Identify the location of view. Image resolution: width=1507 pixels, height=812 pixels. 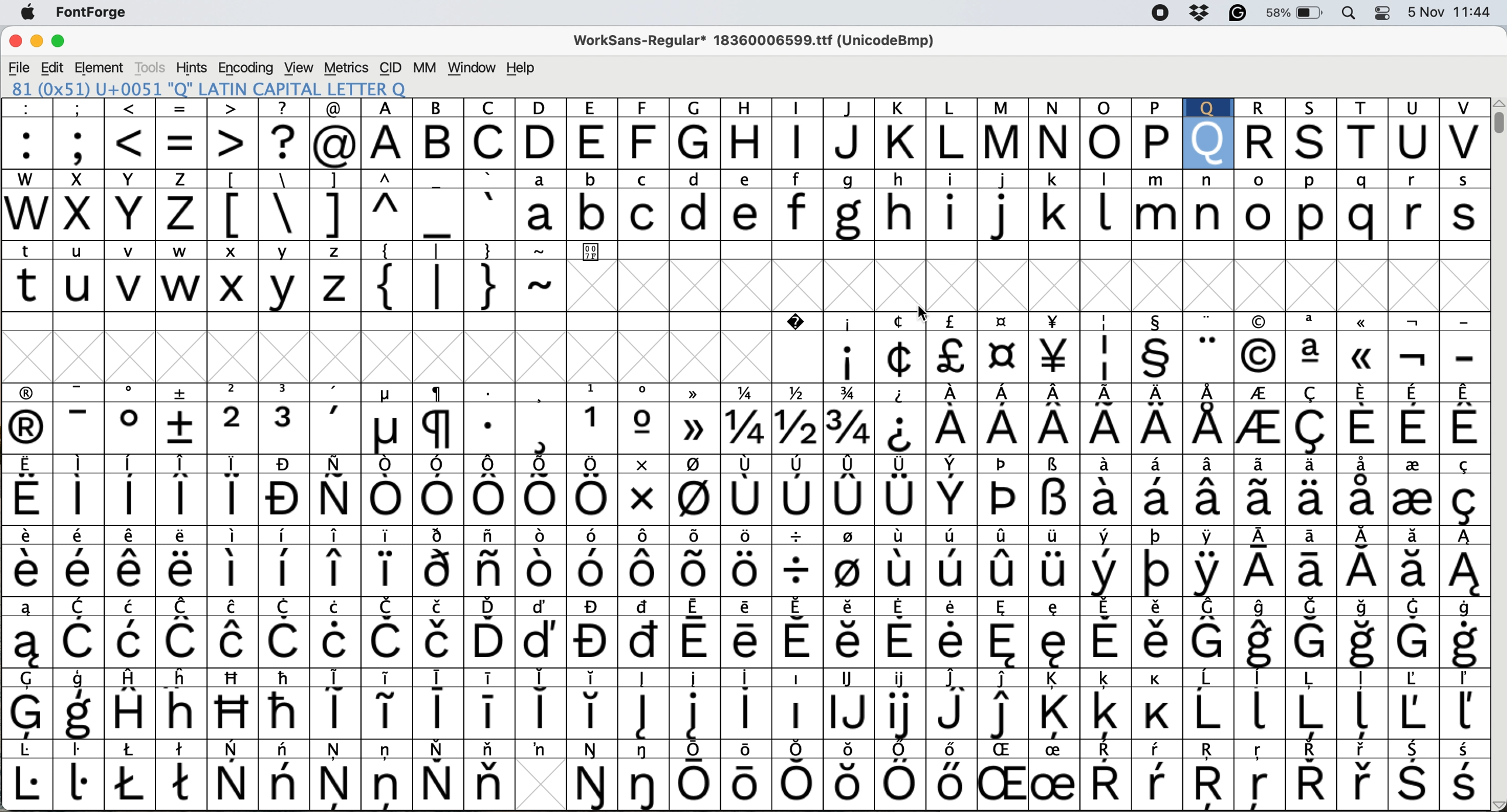
(302, 67).